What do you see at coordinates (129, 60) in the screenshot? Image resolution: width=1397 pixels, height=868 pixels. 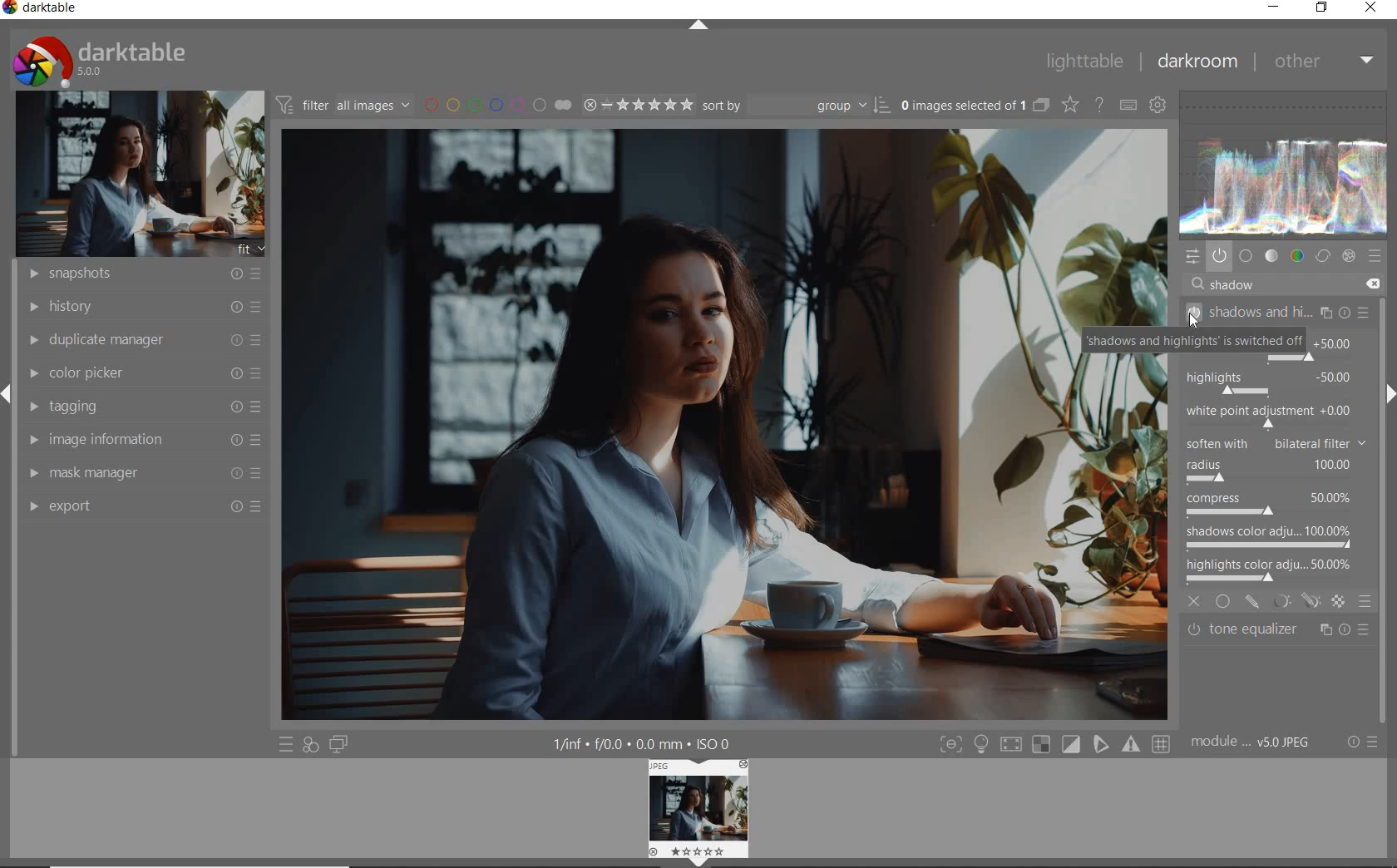 I see `darktable` at bounding box center [129, 60].